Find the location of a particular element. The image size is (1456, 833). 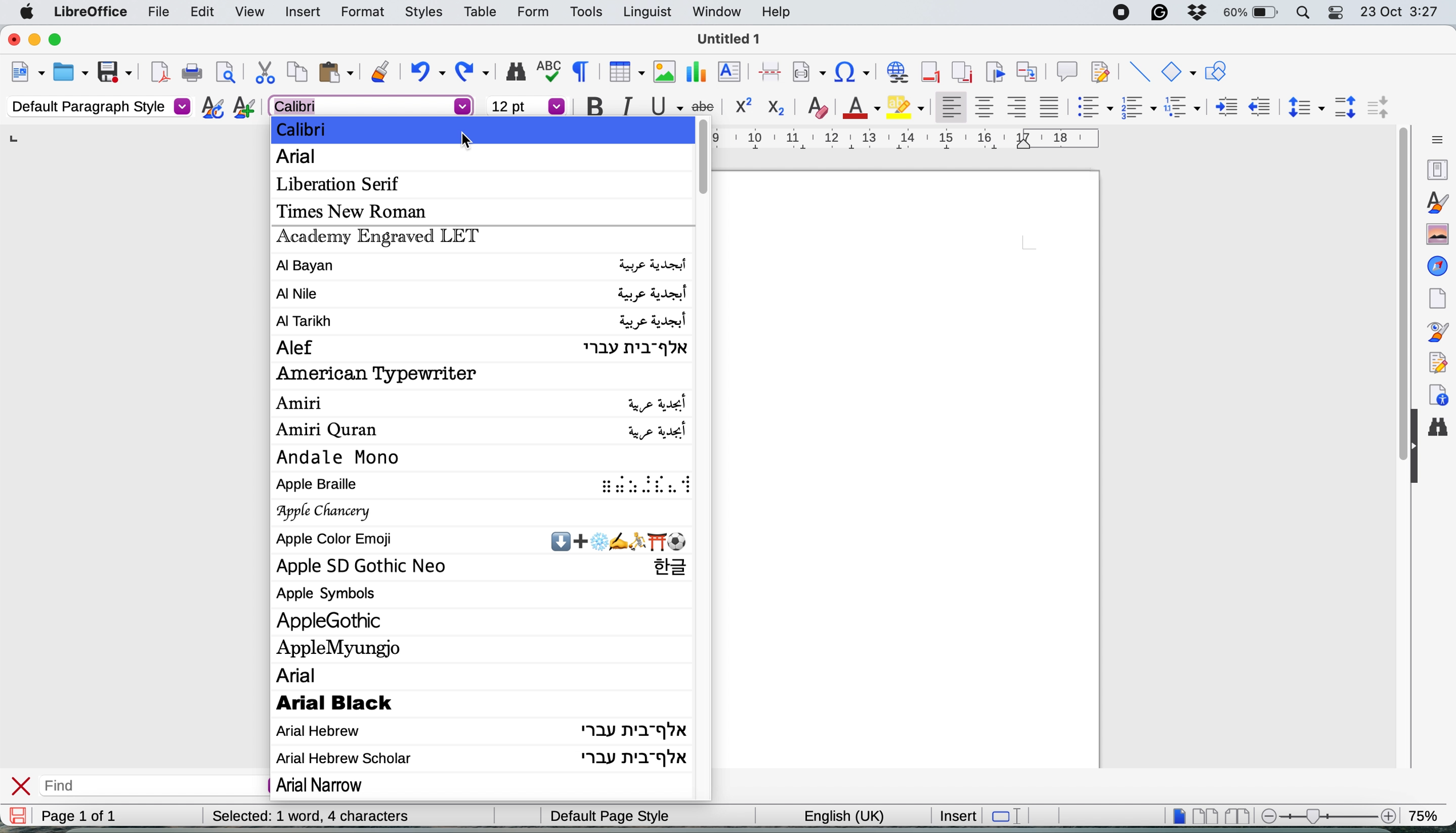

format is located at coordinates (356, 13).